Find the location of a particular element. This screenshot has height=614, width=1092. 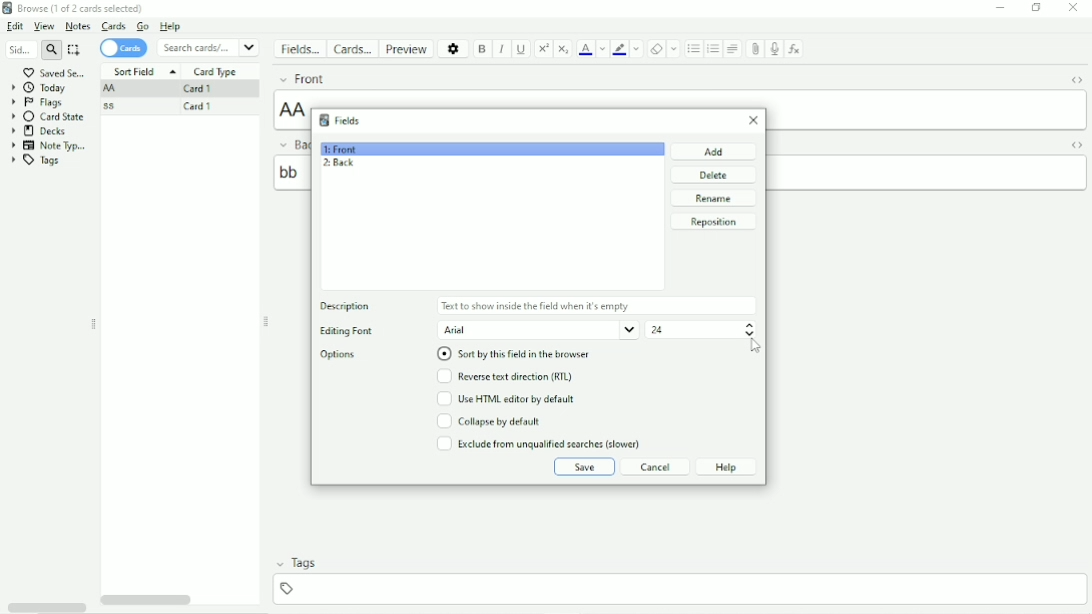

Delete is located at coordinates (713, 175).